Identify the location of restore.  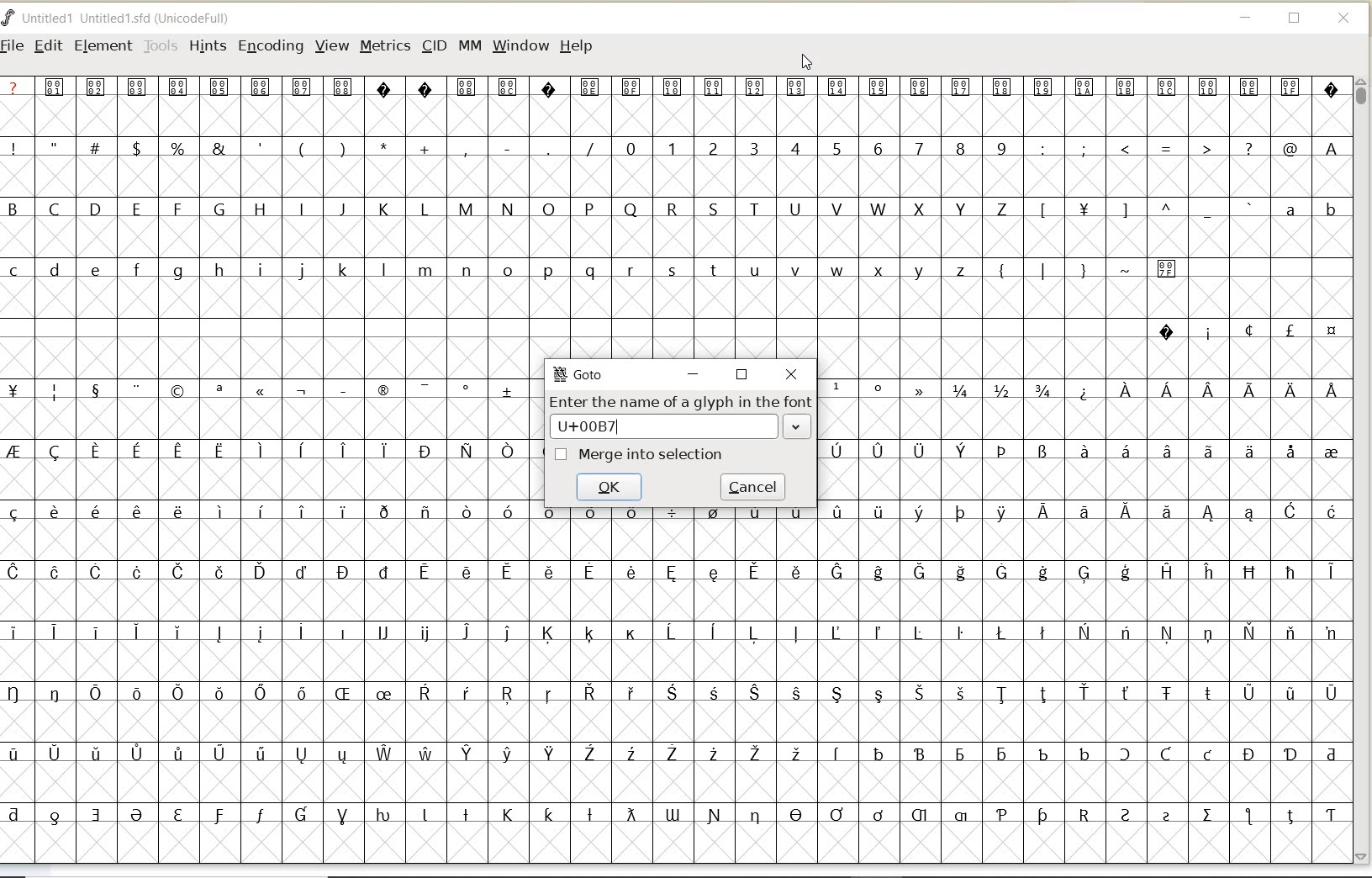
(743, 375).